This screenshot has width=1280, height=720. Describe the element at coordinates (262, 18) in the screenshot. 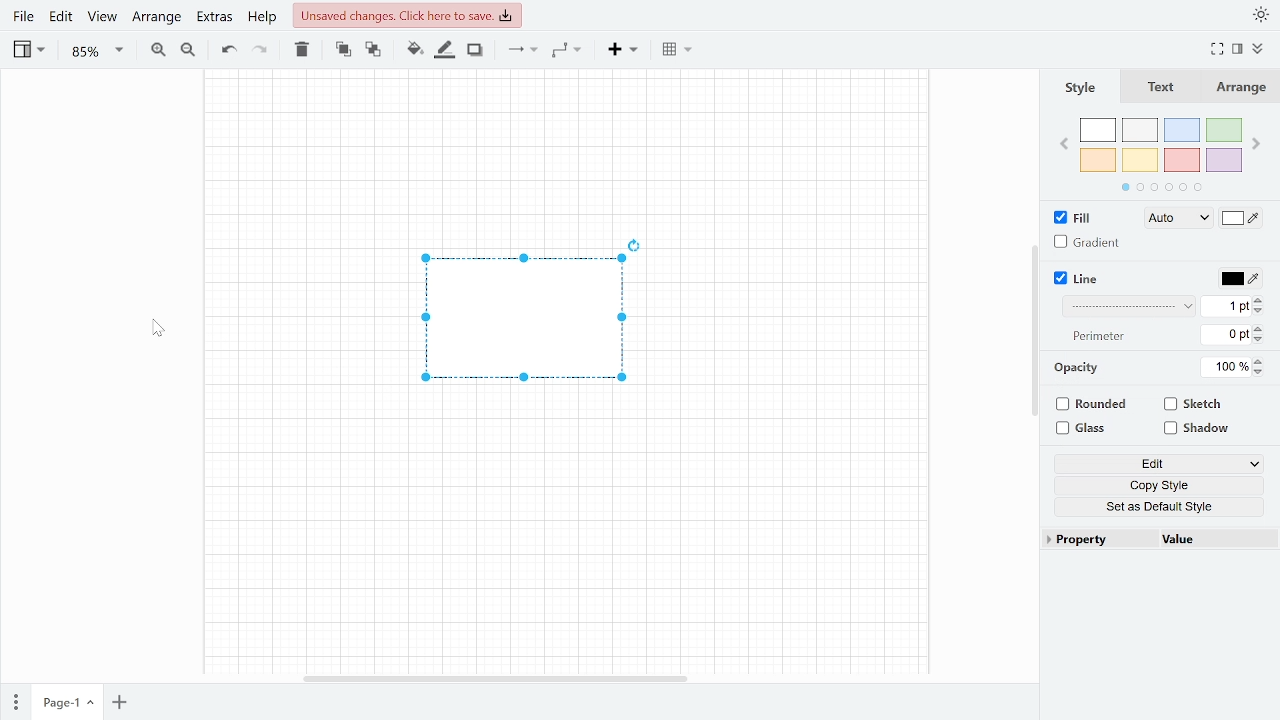

I see `Help` at that location.